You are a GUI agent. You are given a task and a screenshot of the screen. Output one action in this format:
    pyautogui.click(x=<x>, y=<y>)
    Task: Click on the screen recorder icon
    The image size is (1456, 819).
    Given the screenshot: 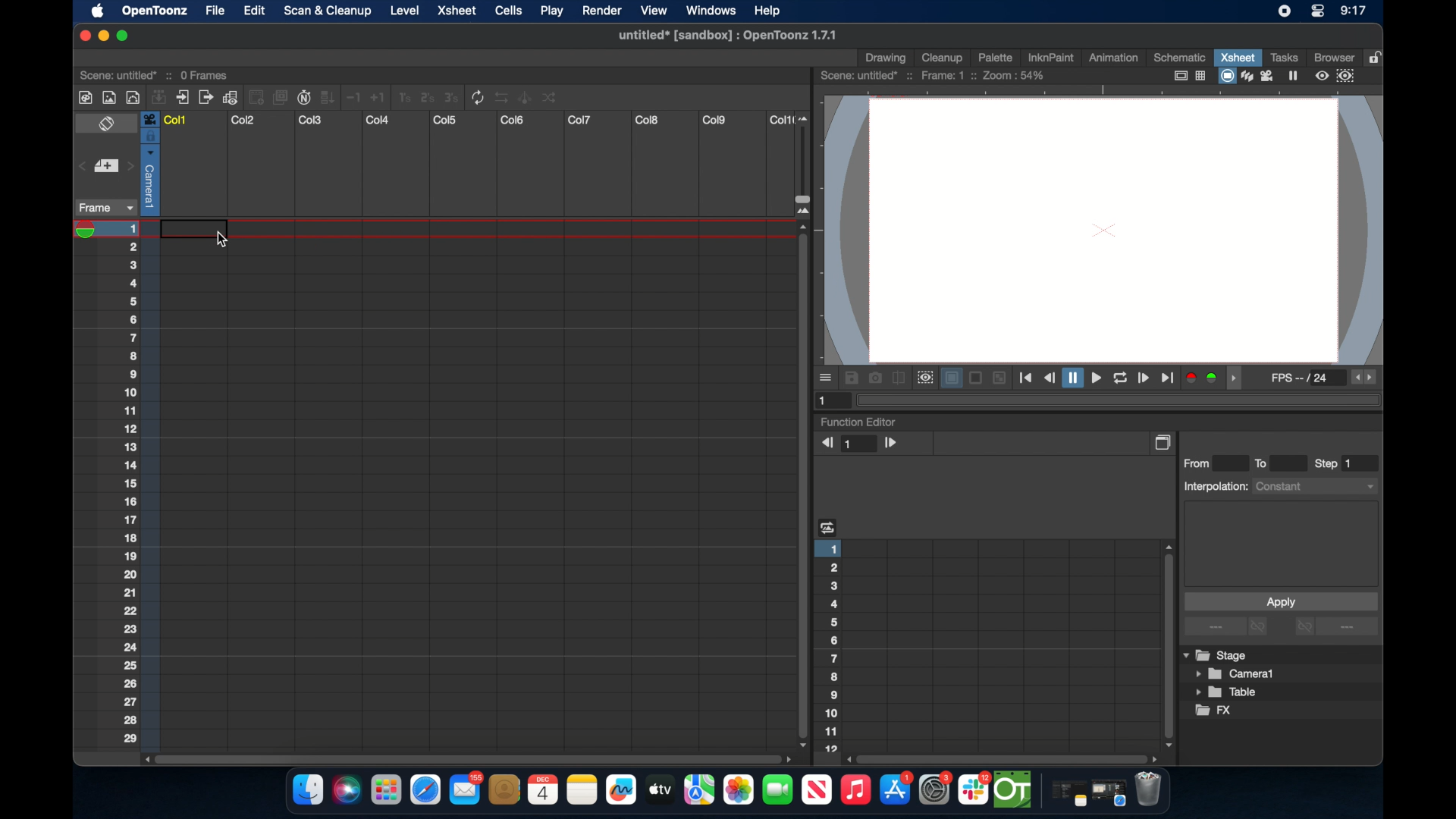 What is the action you would take?
    pyautogui.click(x=1284, y=11)
    